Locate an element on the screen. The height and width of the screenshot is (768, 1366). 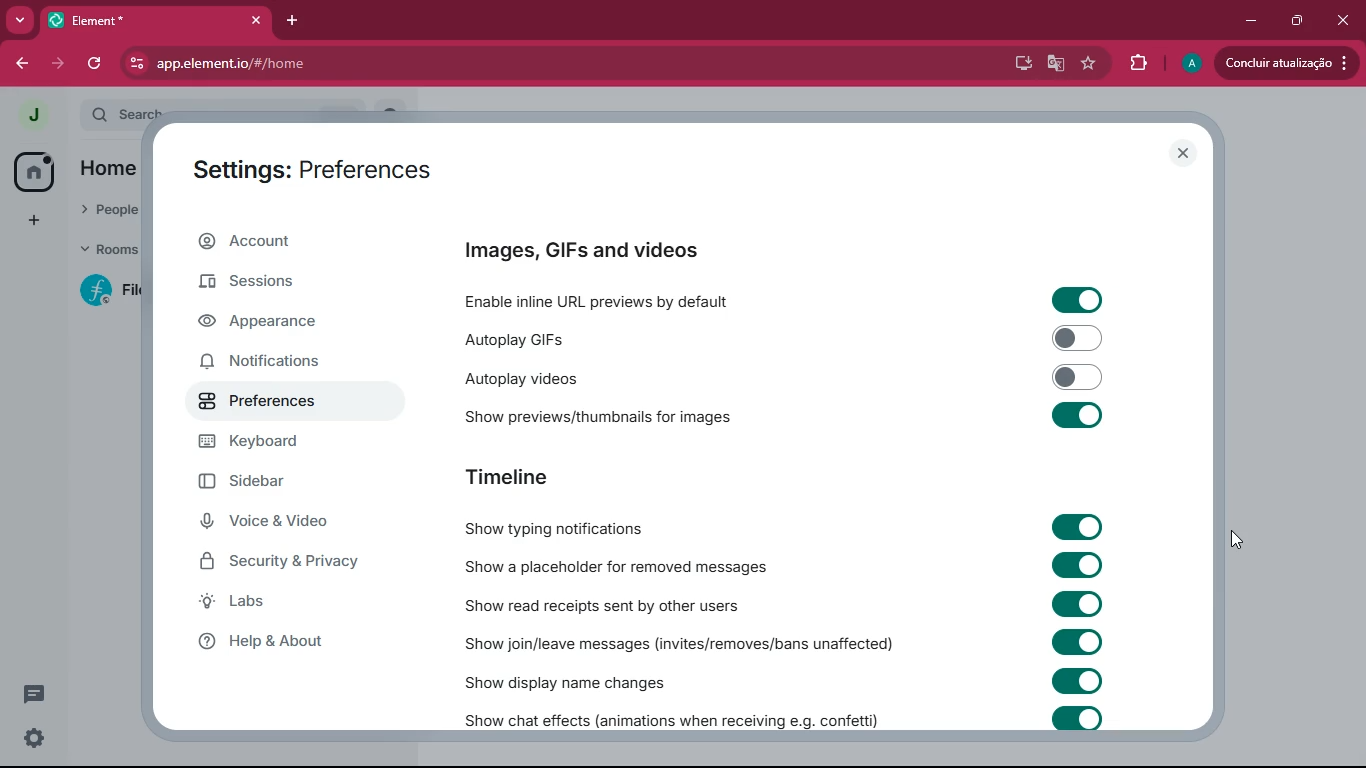
toggle on/off is located at coordinates (1077, 603).